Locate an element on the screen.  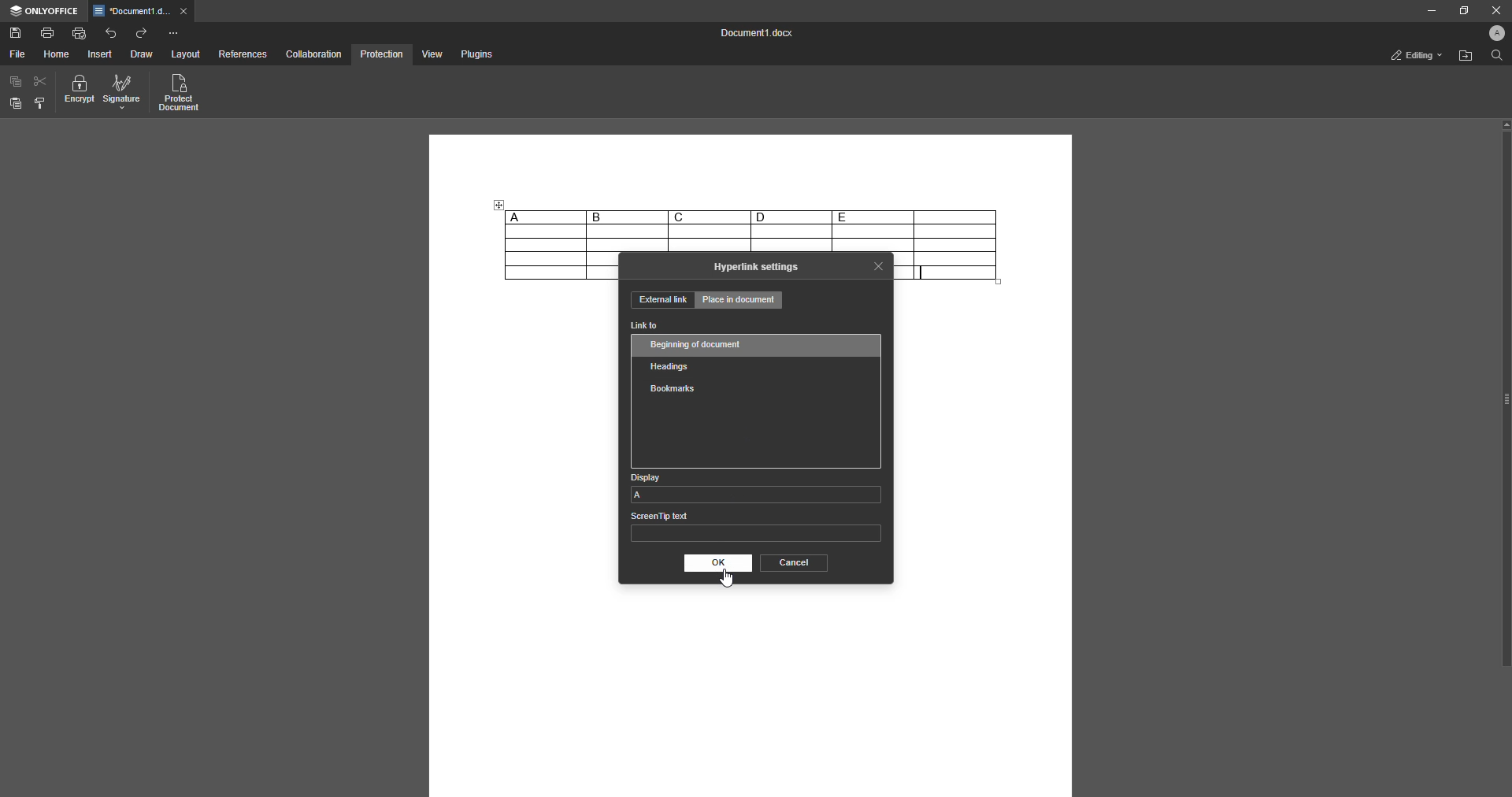
Undo is located at coordinates (111, 32).